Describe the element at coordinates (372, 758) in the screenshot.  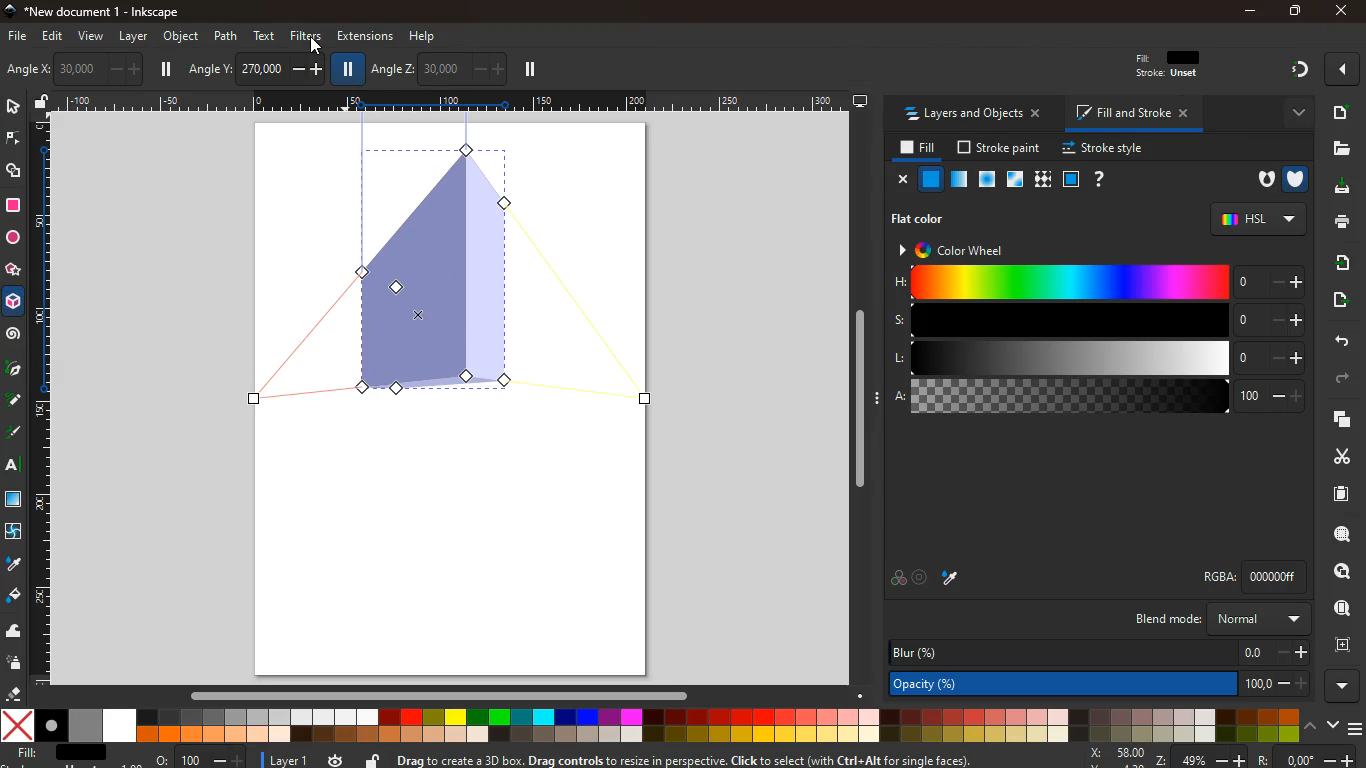
I see `unlock` at that location.